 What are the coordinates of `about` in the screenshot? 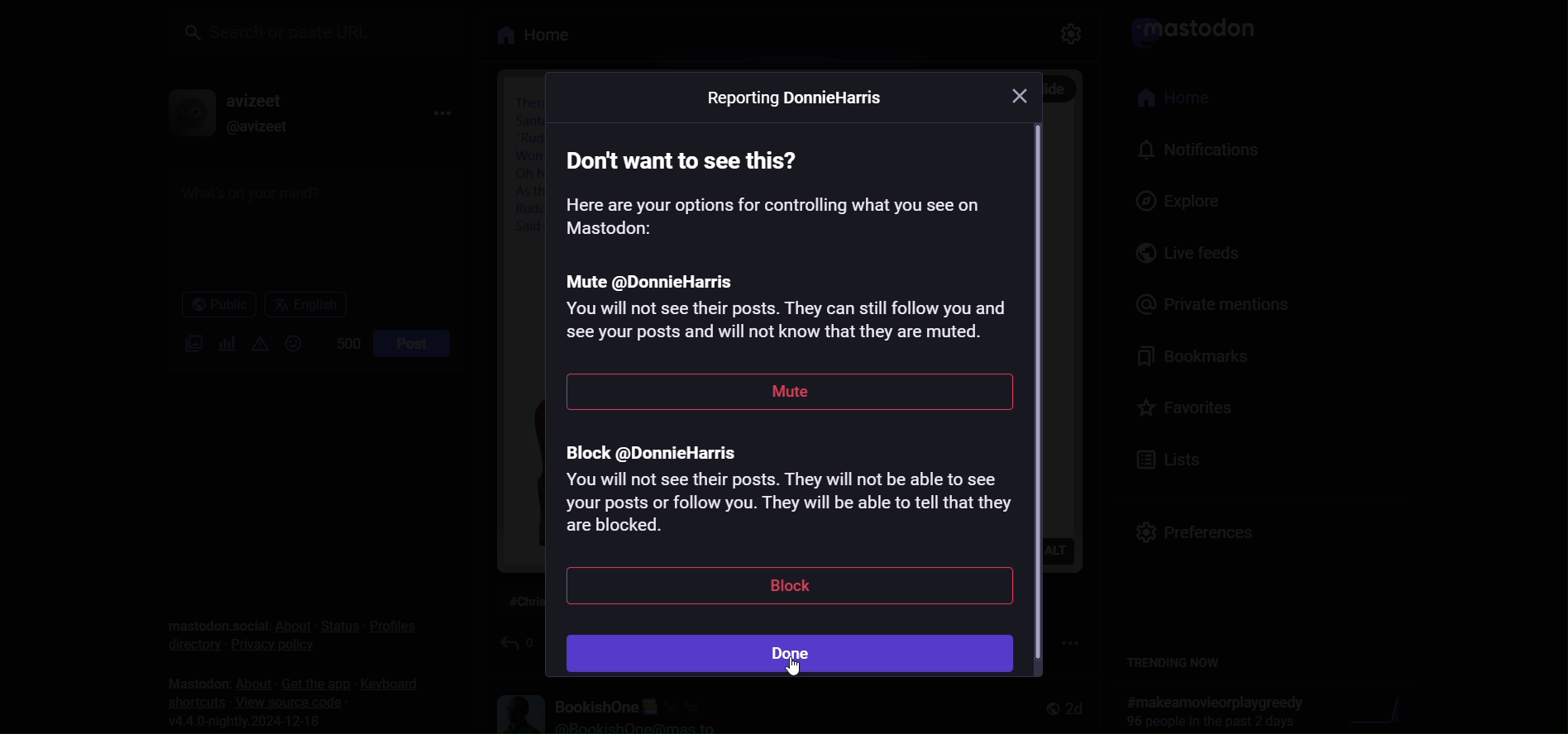 It's located at (248, 682).